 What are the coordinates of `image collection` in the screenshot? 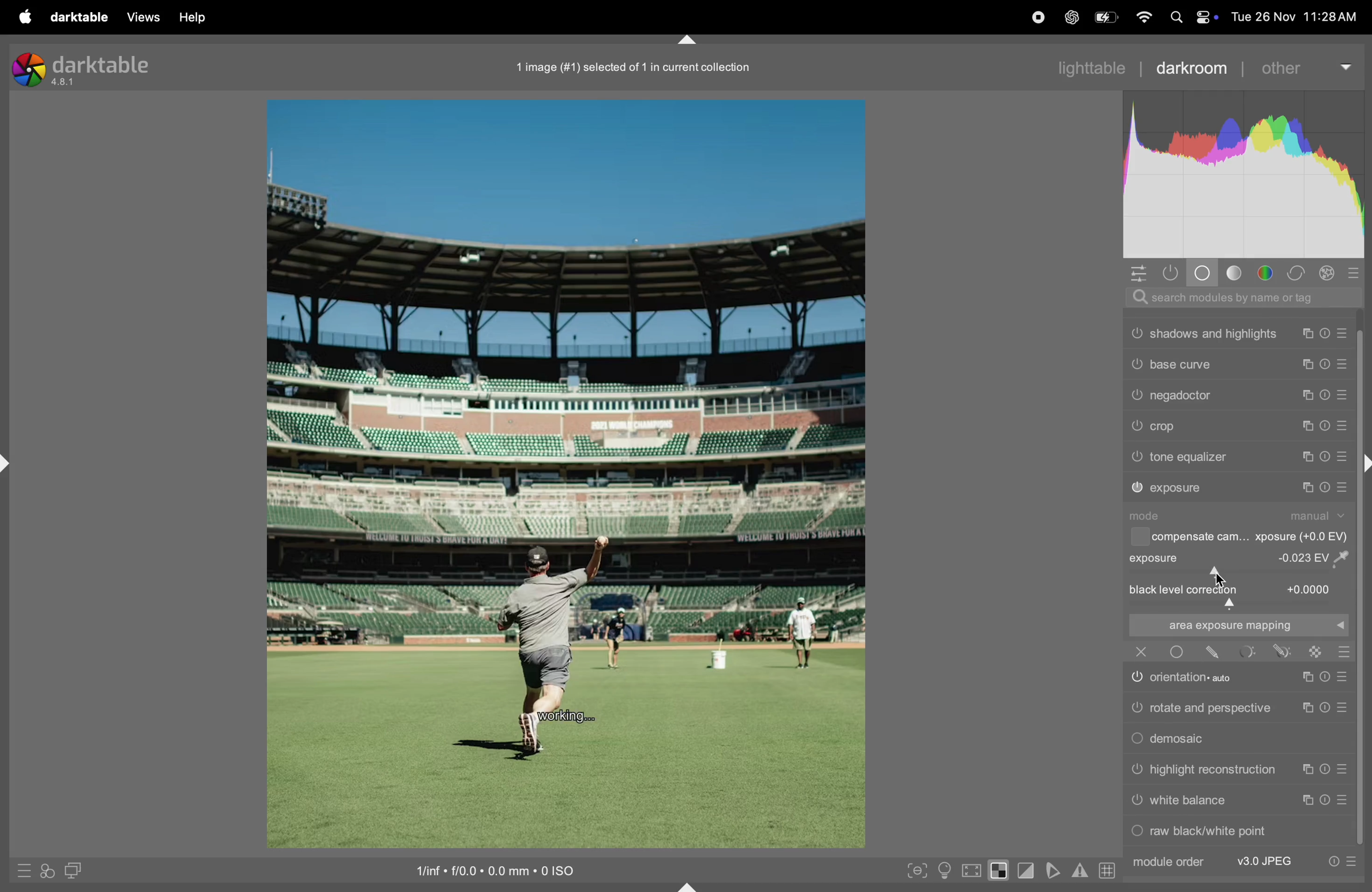 It's located at (629, 65).